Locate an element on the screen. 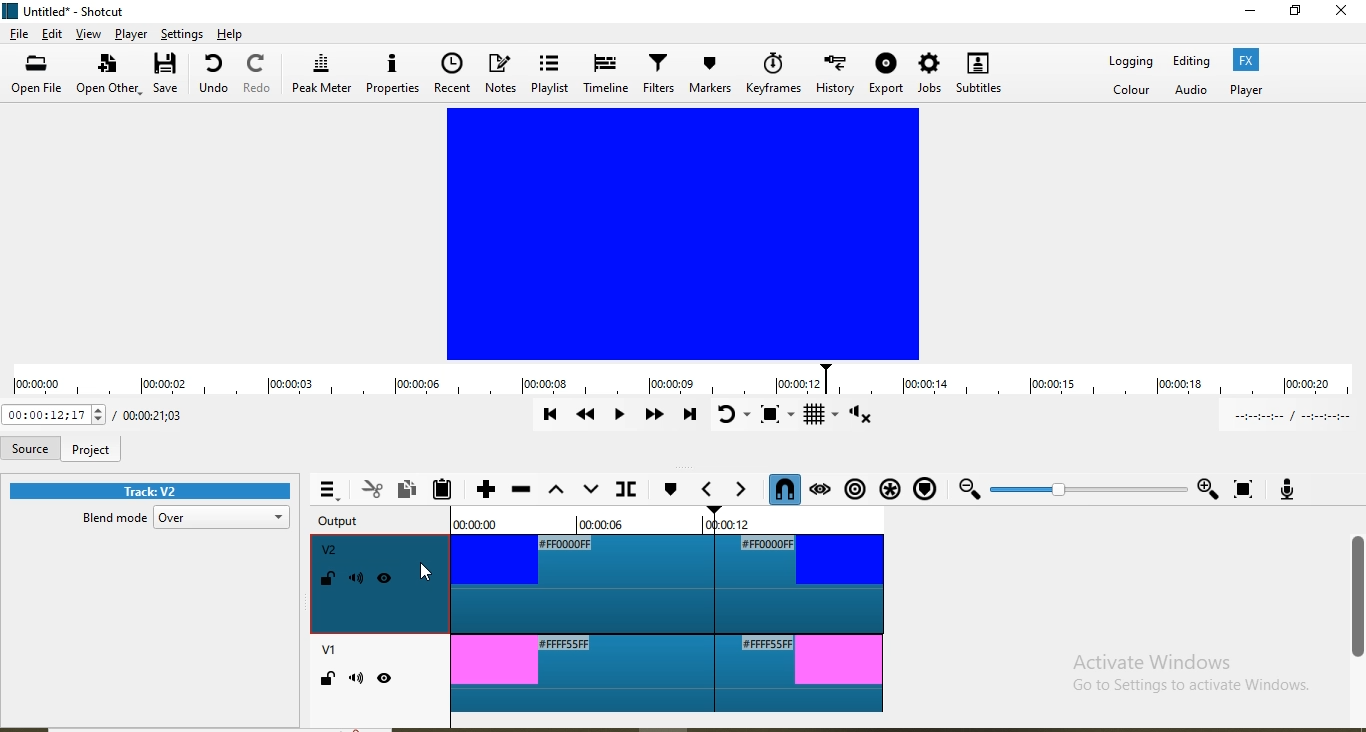 This screenshot has height=732, width=1366. V2 is located at coordinates (330, 550).